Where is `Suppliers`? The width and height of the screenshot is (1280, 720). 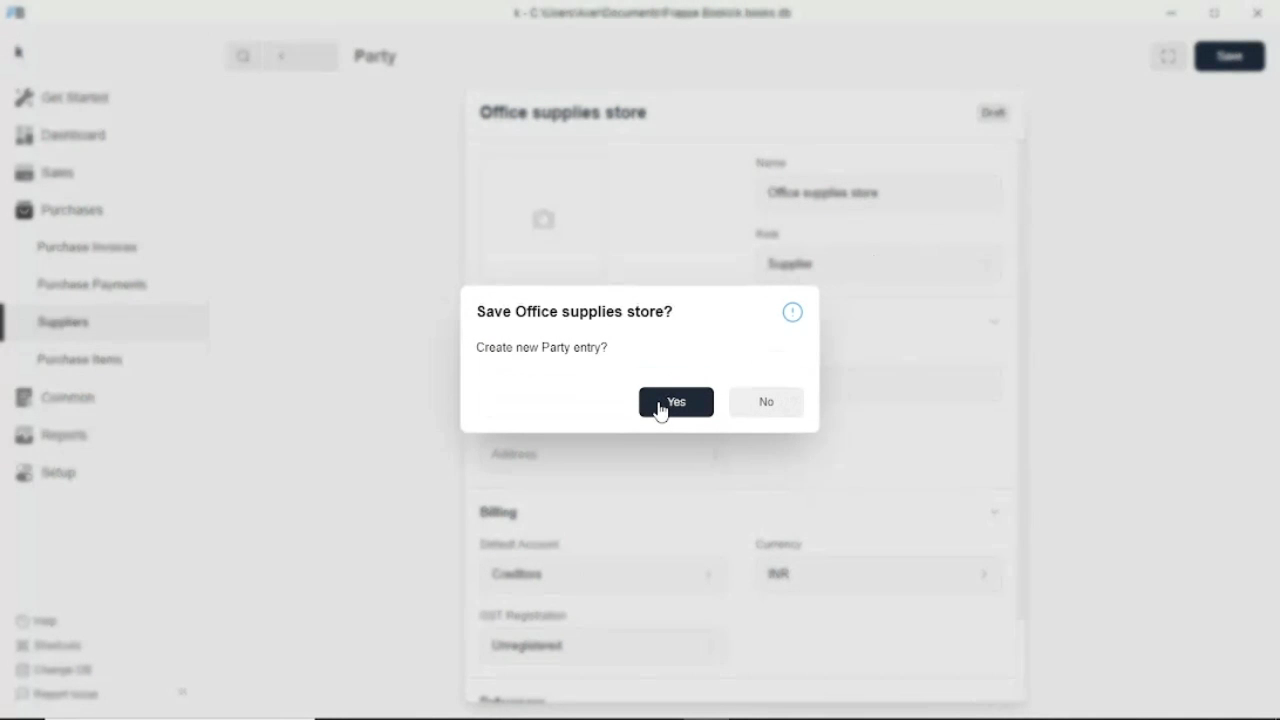
Suppliers is located at coordinates (64, 322).